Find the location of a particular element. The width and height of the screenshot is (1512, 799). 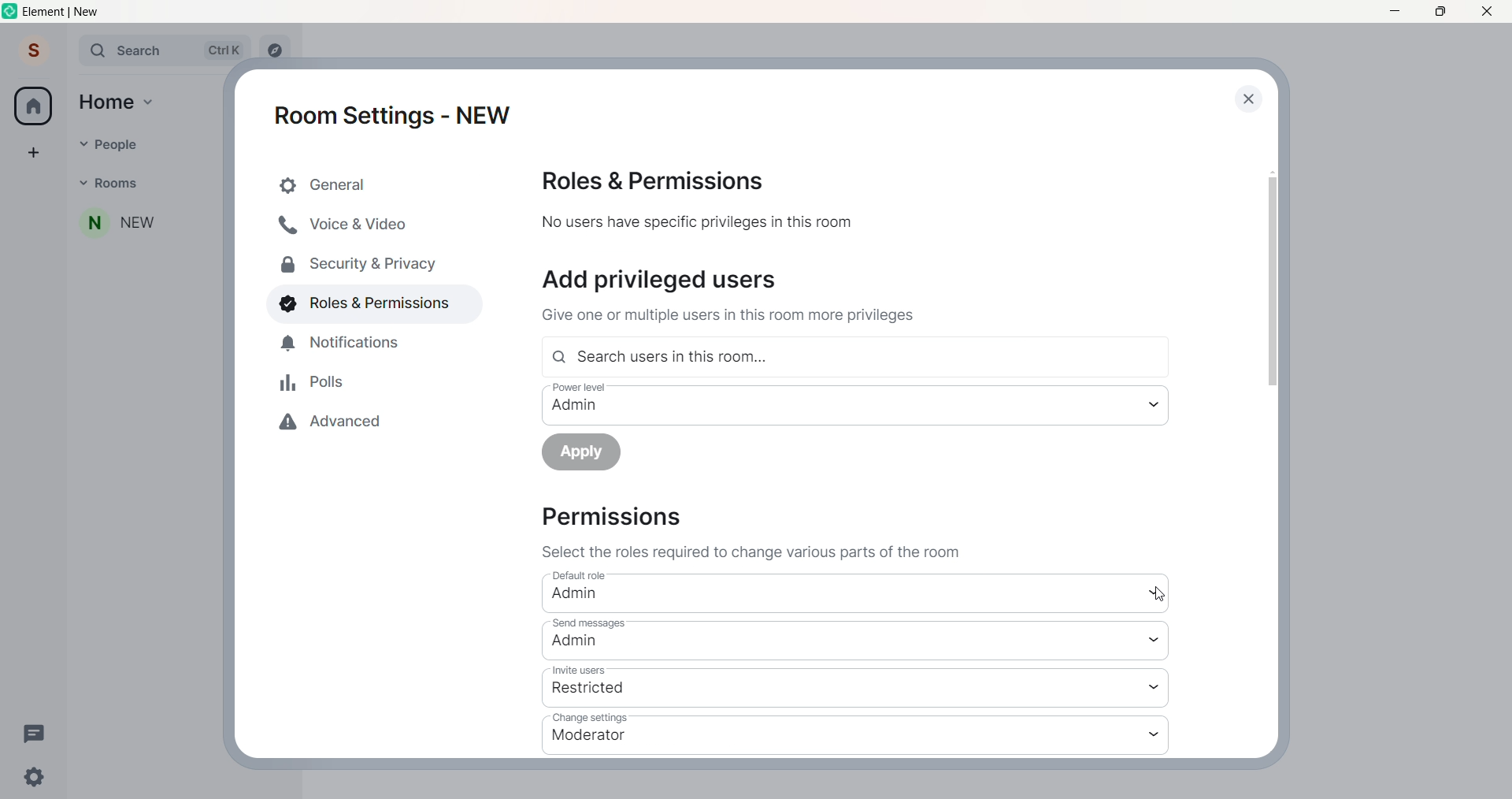

user is located at coordinates (34, 50).